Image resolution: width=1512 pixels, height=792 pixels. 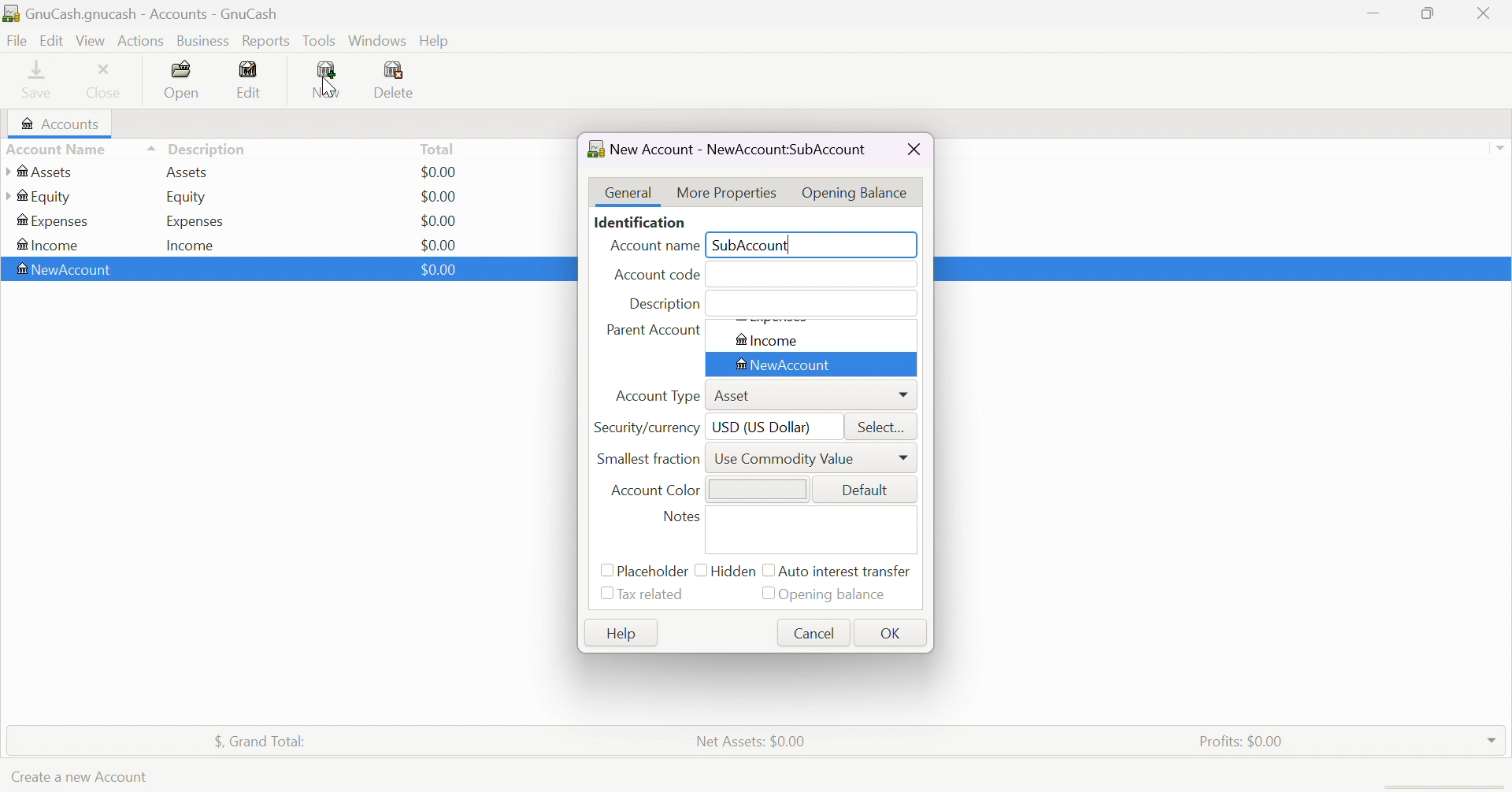 What do you see at coordinates (903, 457) in the screenshot?
I see `DropDown` at bounding box center [903, 457].